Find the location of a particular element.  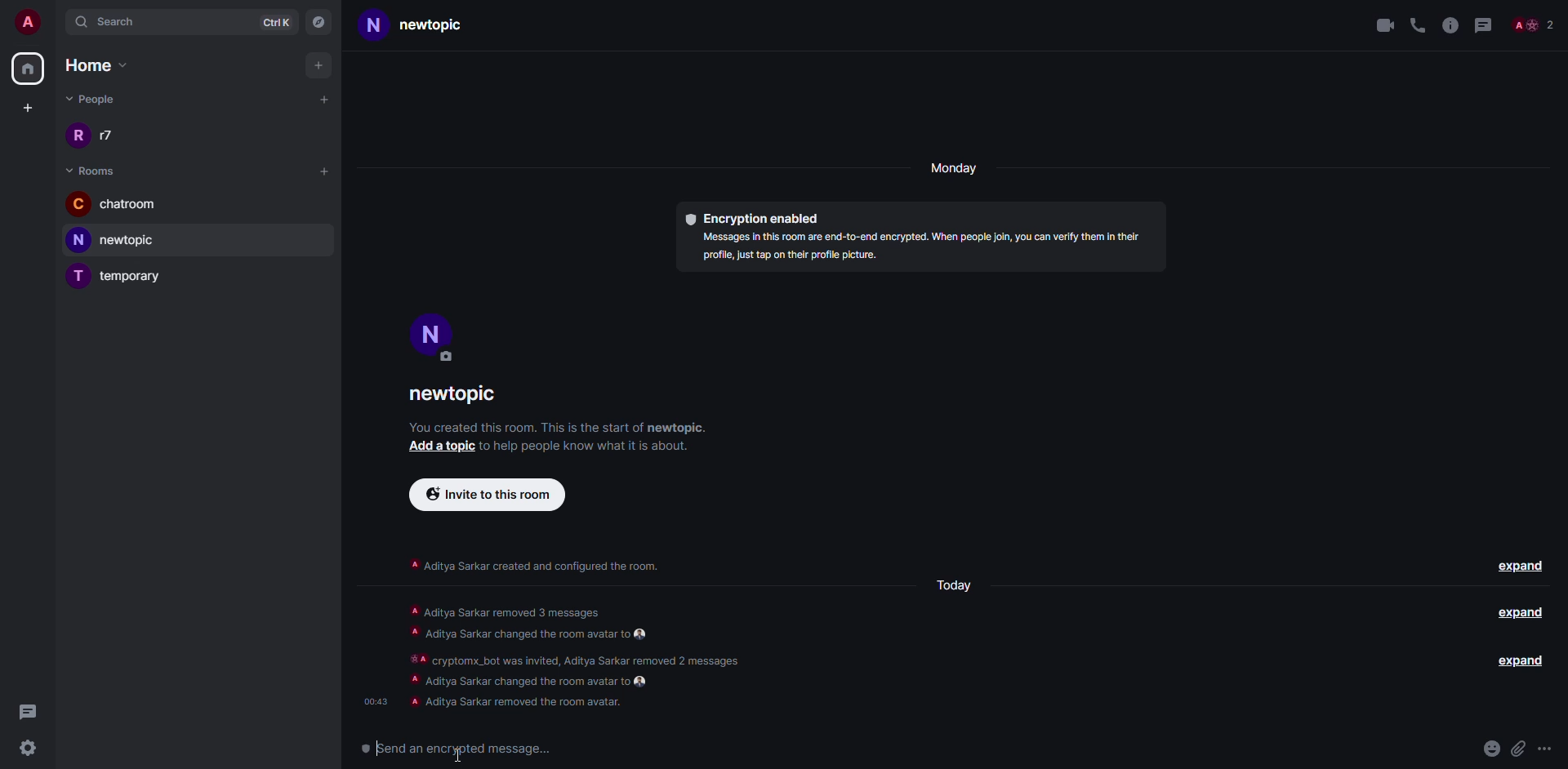

video call is located at coordinates (1383, 24).